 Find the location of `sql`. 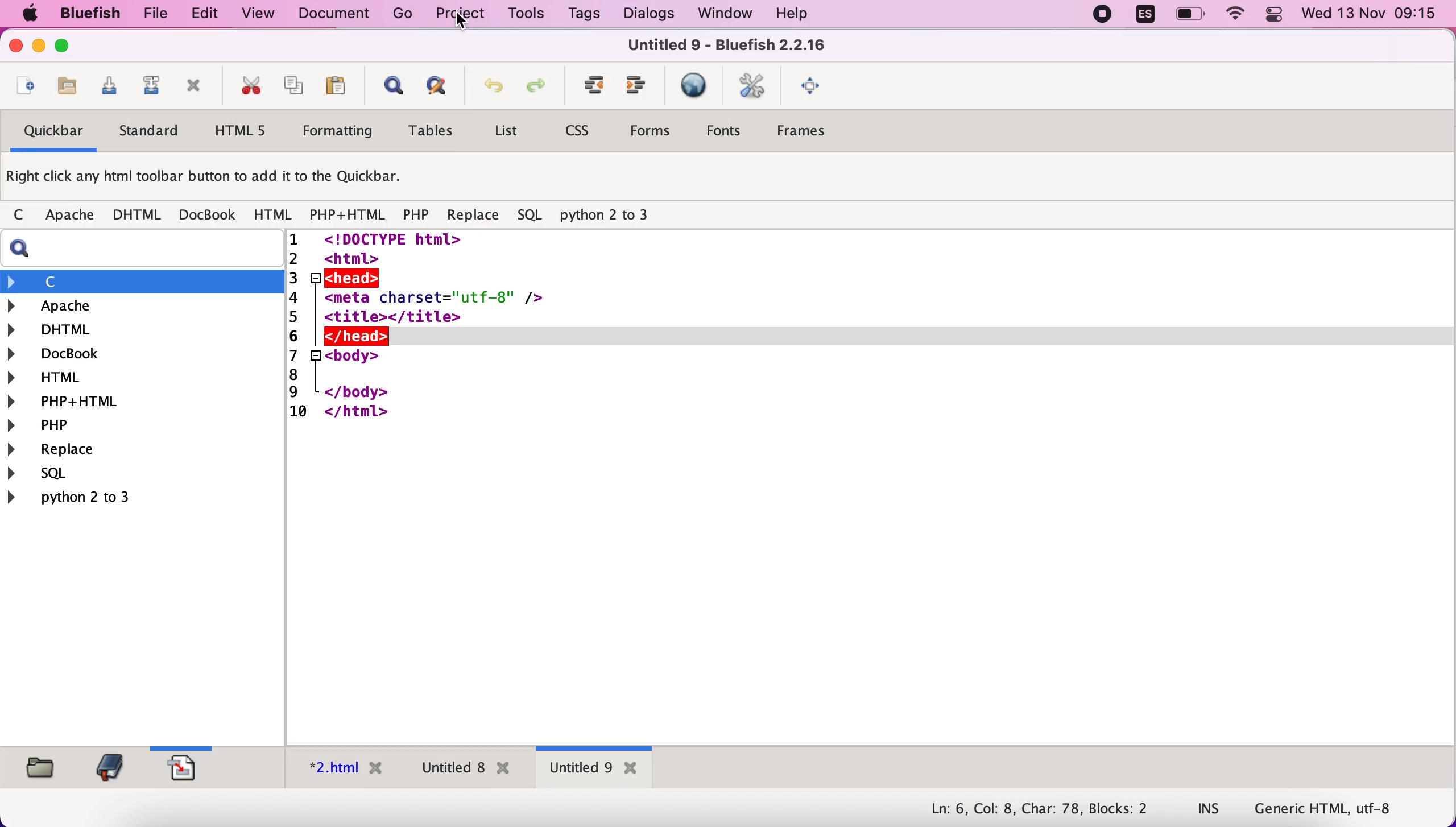

sql is located at coordinates (531, 217).